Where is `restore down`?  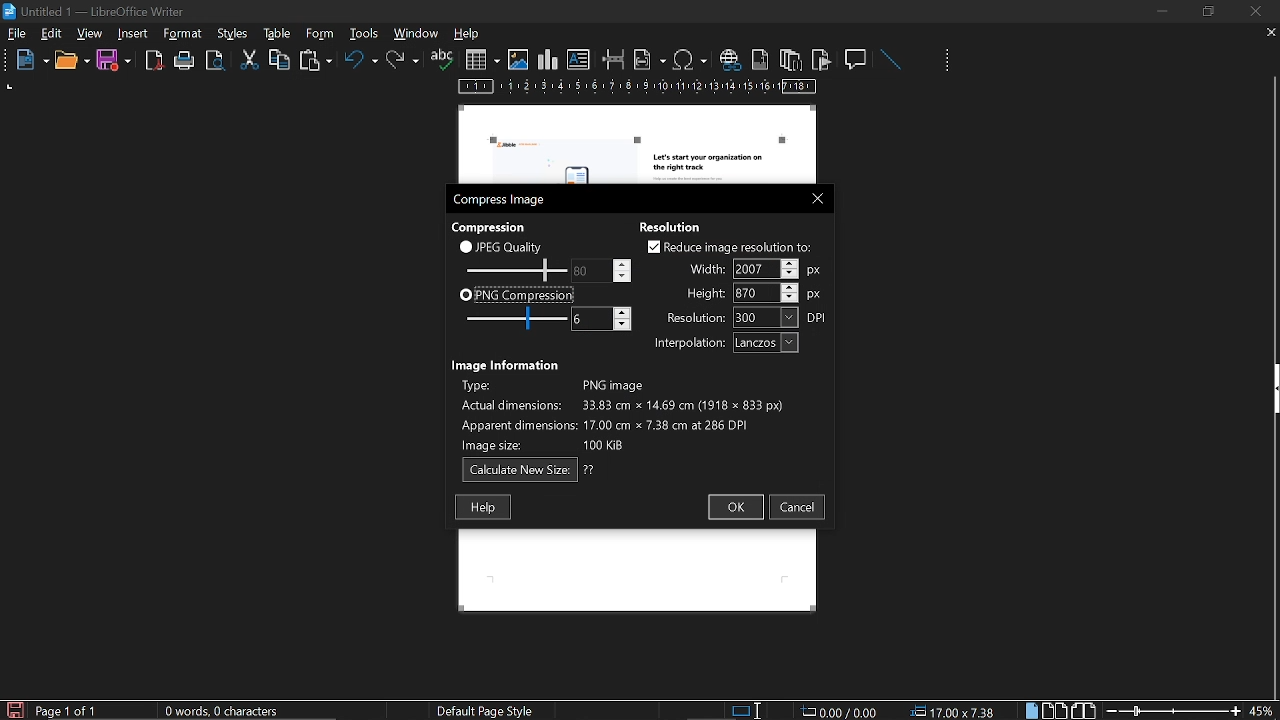 restore down is located at coordinates (1211, 11).